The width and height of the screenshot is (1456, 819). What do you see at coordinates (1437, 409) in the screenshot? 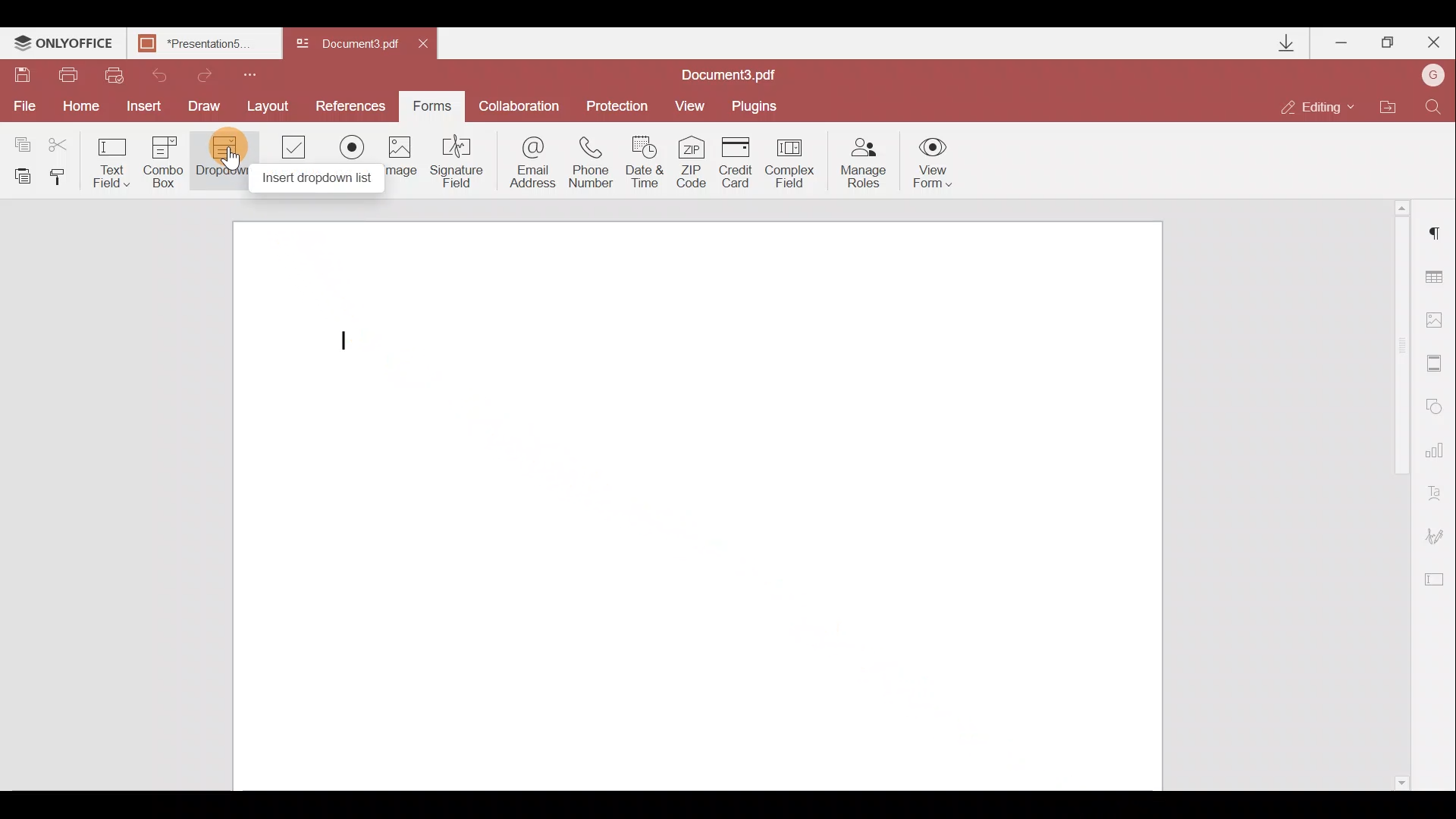
I see `Shapes settings` at bounding box center [1437, 409].